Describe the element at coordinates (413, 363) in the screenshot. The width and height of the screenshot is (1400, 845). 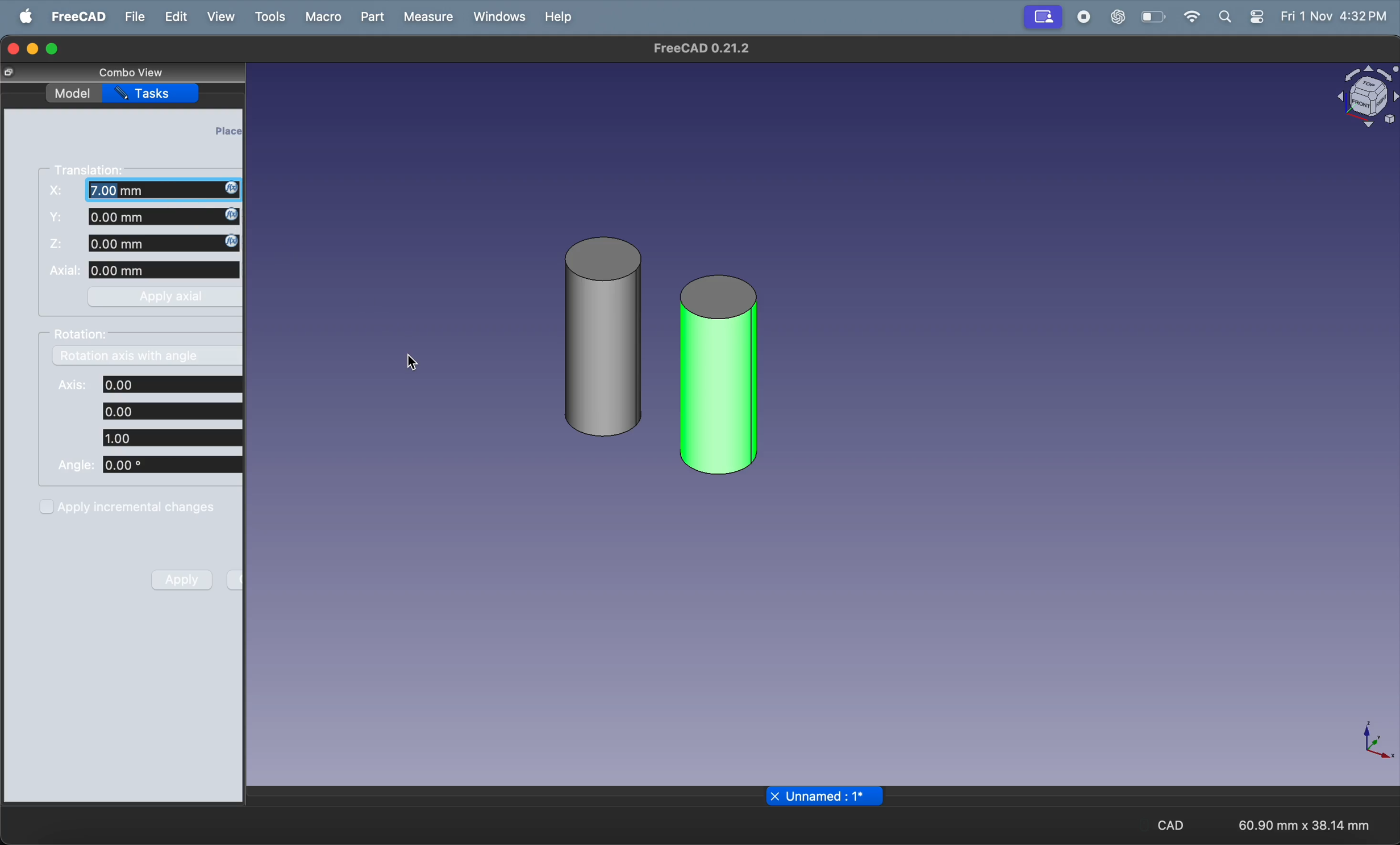
I see `cursor` at that location.